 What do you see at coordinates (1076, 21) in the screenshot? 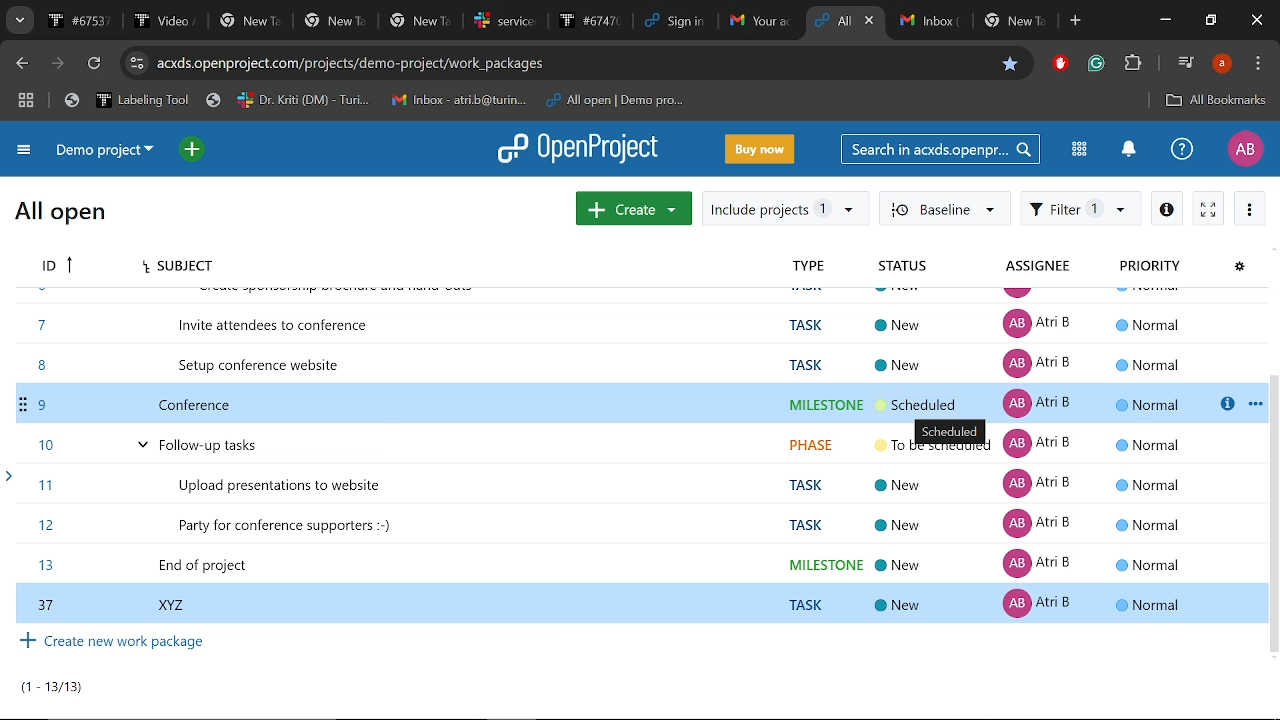
I see `Add new tab` at bounding box center [1076, 21].